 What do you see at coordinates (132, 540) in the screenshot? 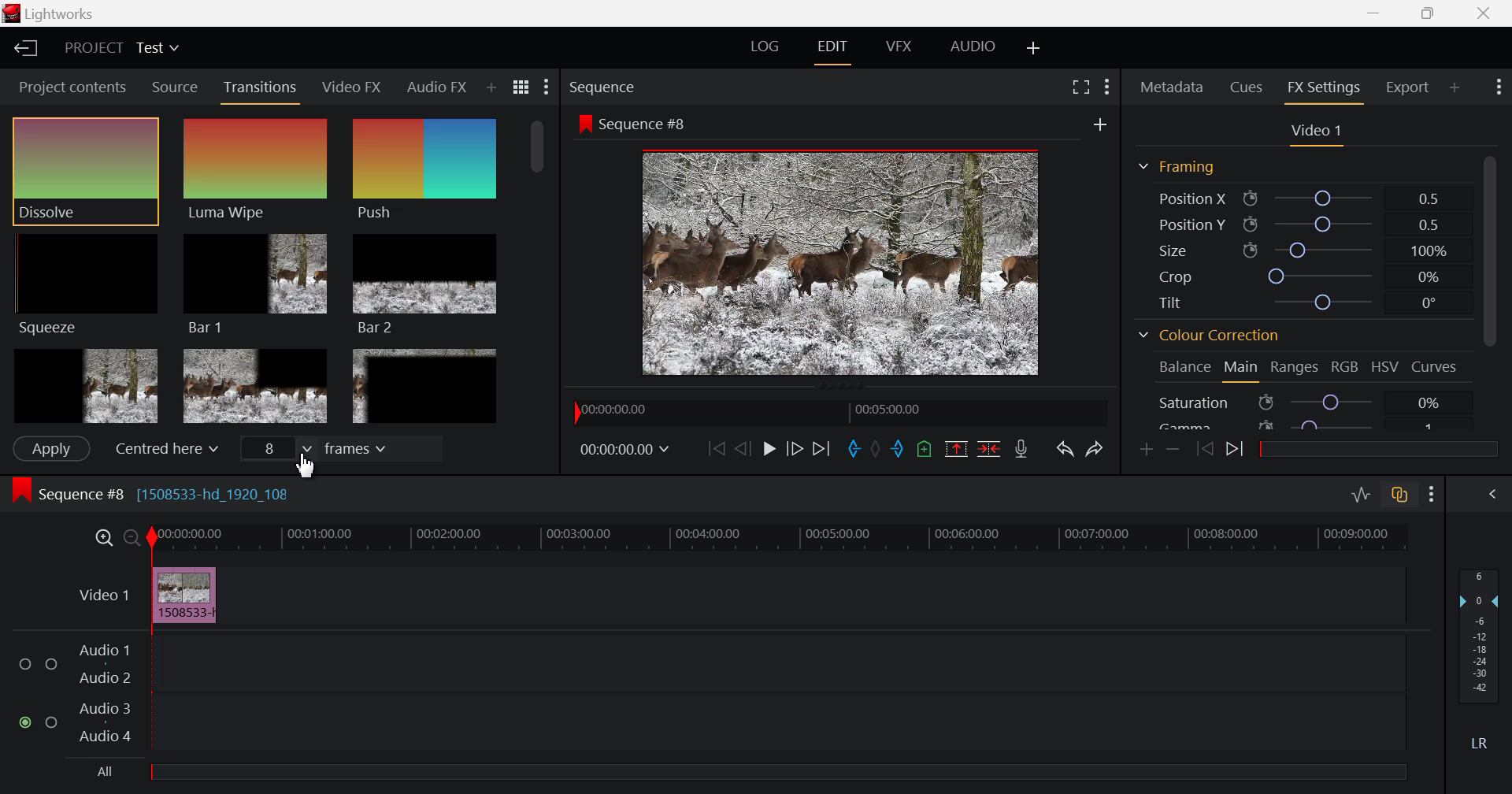
I see `Timeline Zoomed Out` at bounding box center [132, 540].